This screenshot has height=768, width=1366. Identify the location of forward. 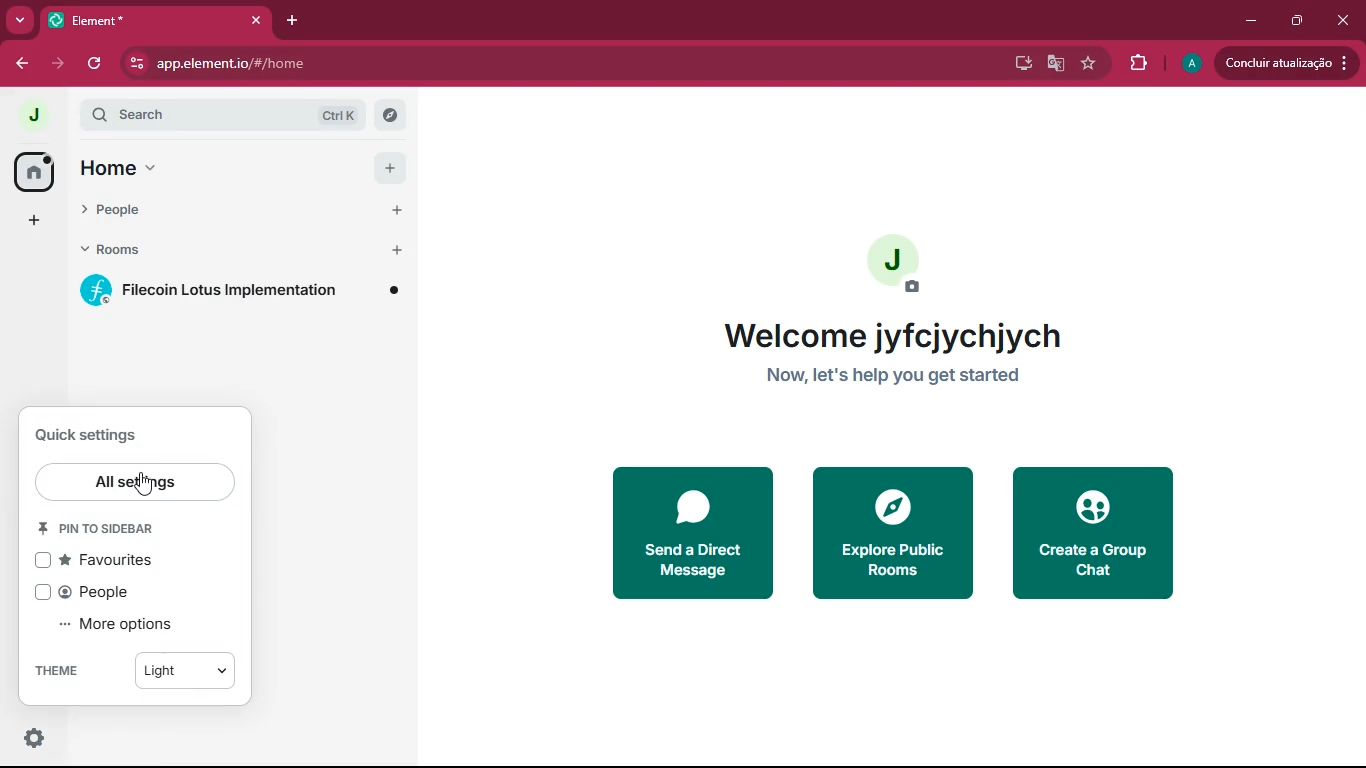
(58, 67).